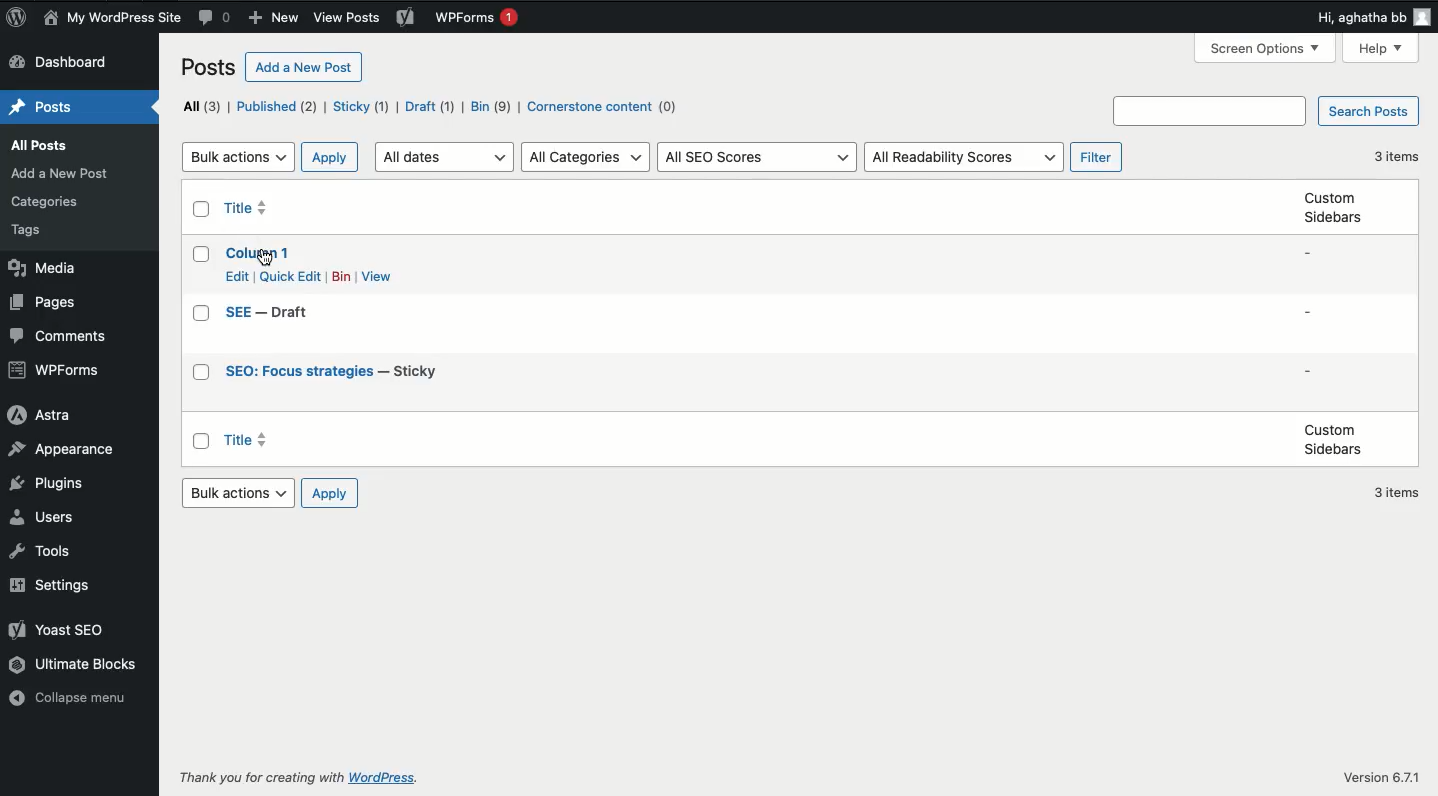 The width and height of the screenshot is (1438, 796). Describe the element at coordinates (304, 68) in the screenshot. I see `Add a new post` at that location.